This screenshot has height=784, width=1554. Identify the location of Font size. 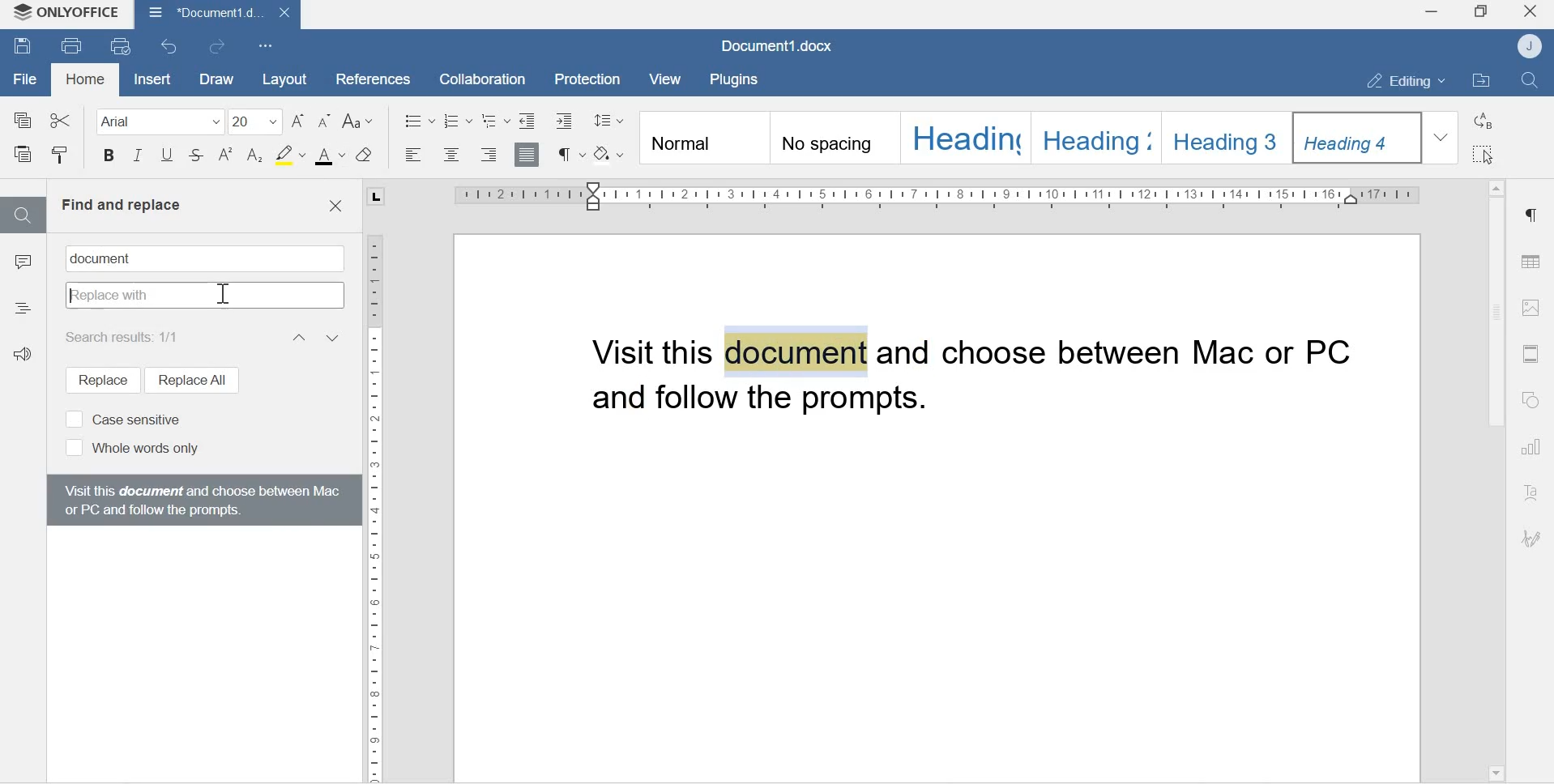
(257, 121).